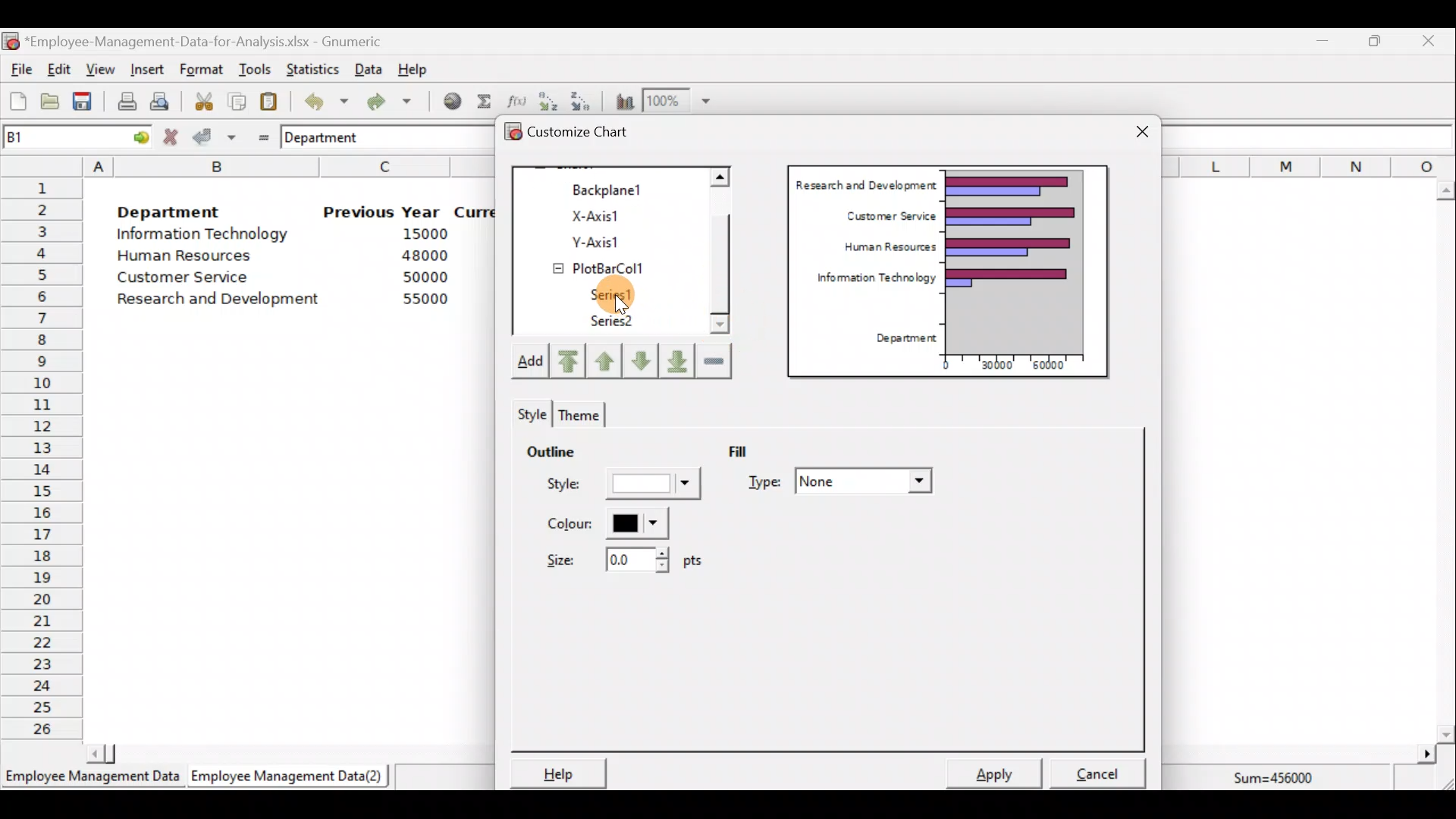 The image size is (1456, 819). Describe the element at coordinates (192, 257) in the screenshot. I see `Human Resources` at that location.